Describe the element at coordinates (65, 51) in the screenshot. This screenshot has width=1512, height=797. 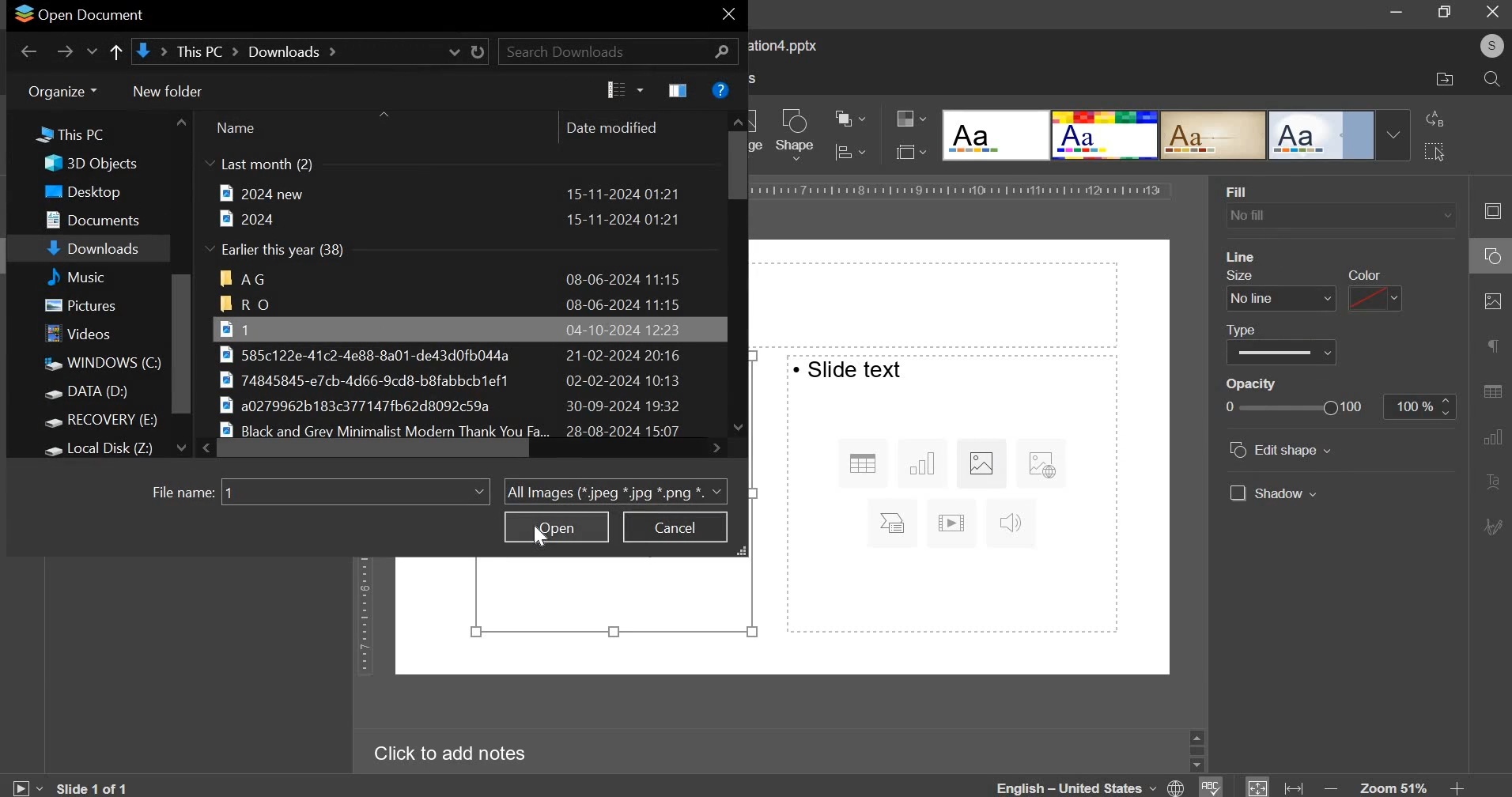
I see `forward` at that location.